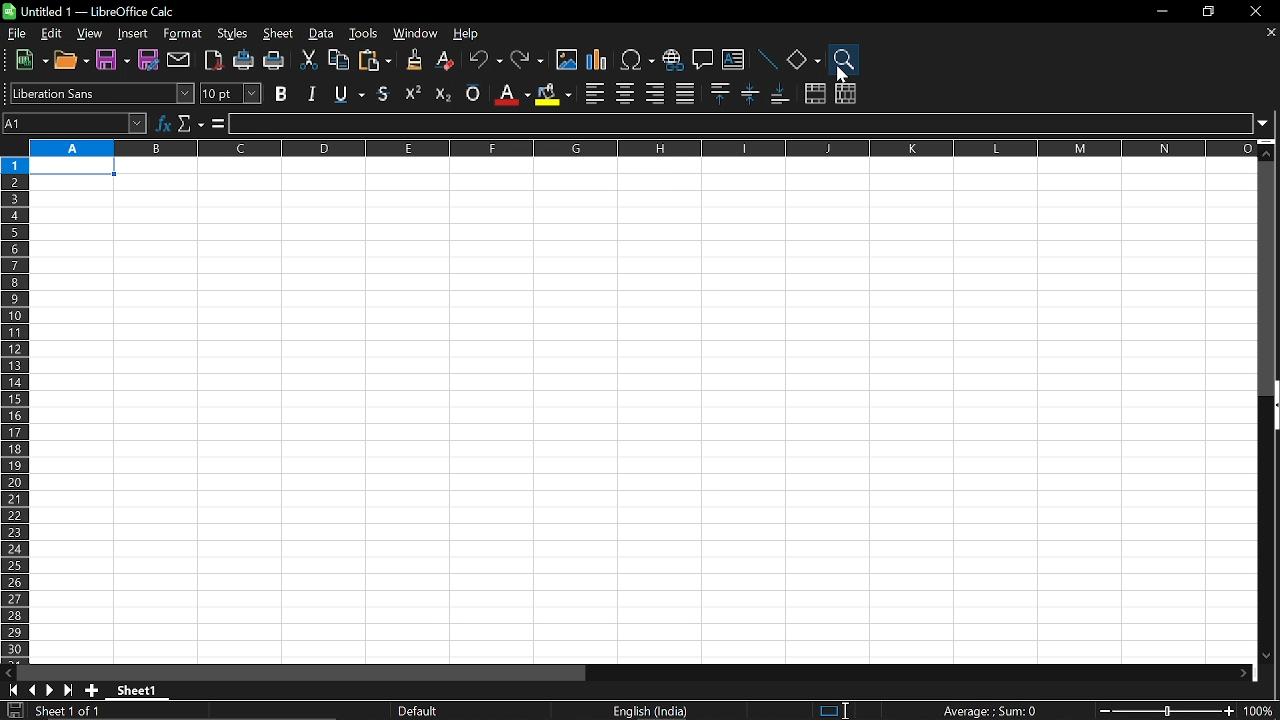 This screenshot has height=720, width=1280. I want to click on current sheet, so click(78, 712).